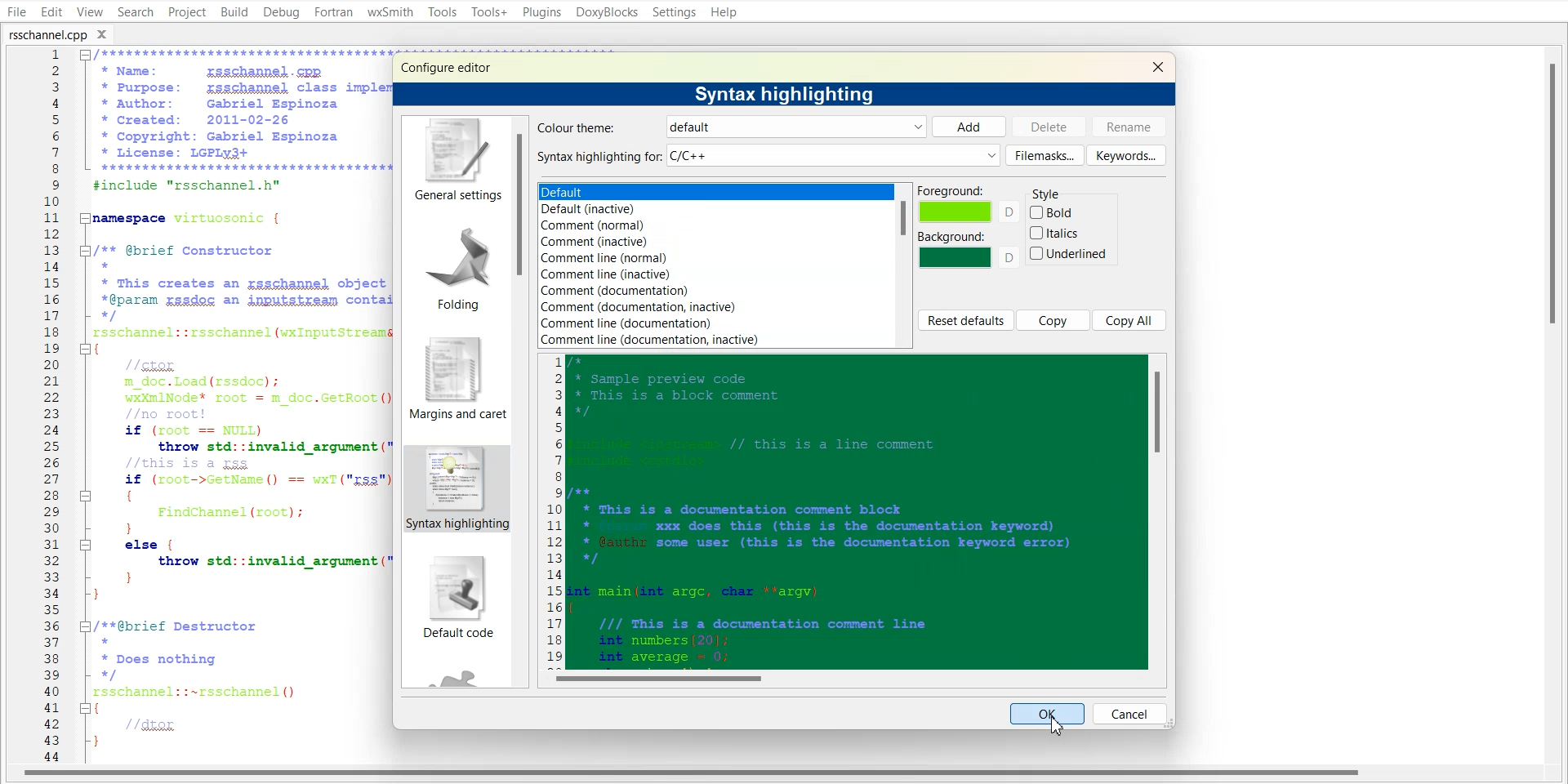 Image resolution: width=1568 pixels, height=784 pixels. I want to click on DoxyBlocks, so click(606, 12).